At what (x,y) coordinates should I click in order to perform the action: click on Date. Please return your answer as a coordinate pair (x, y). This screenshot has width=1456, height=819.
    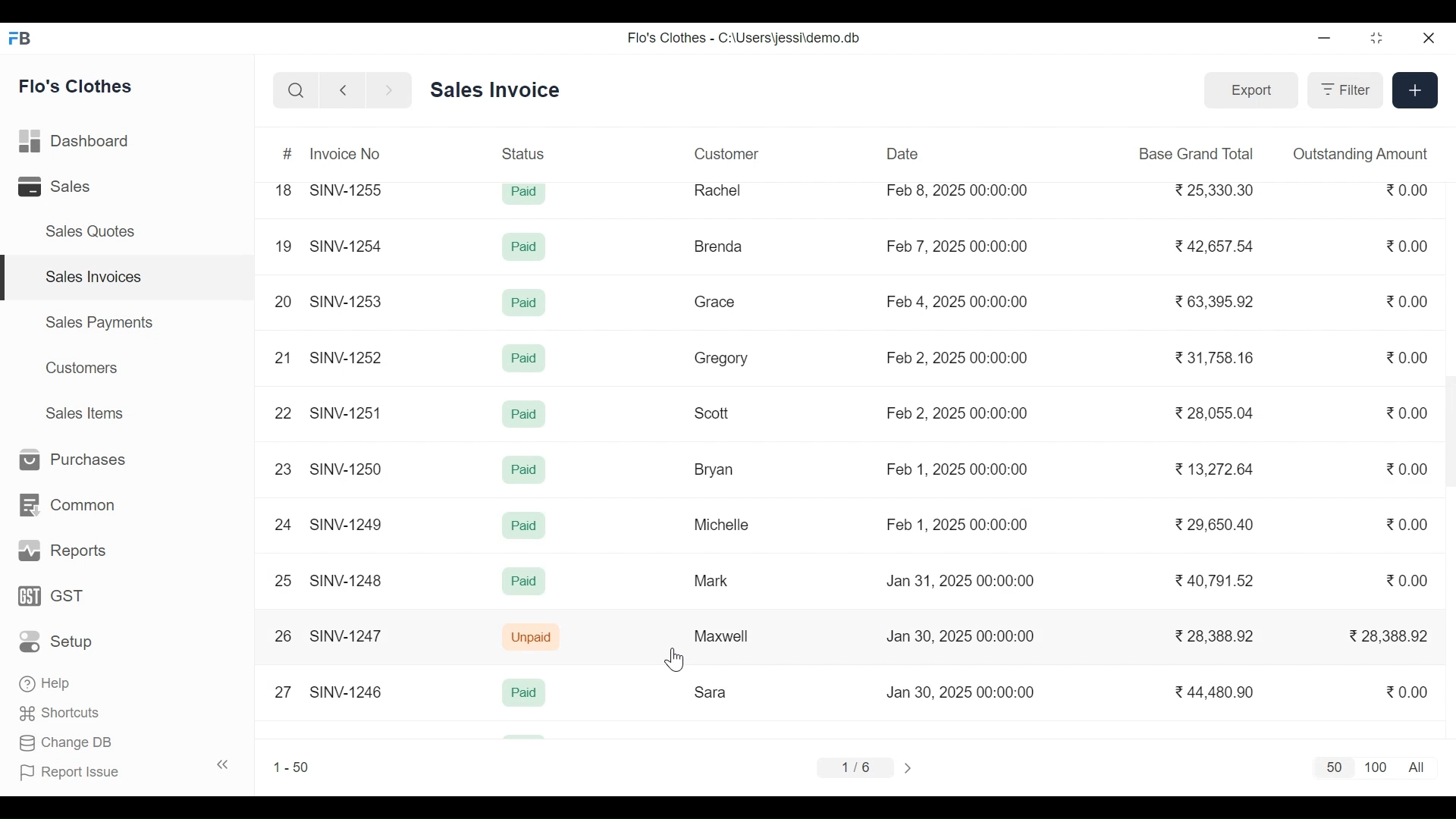
    Looking at the image, I should click on (903, 153).